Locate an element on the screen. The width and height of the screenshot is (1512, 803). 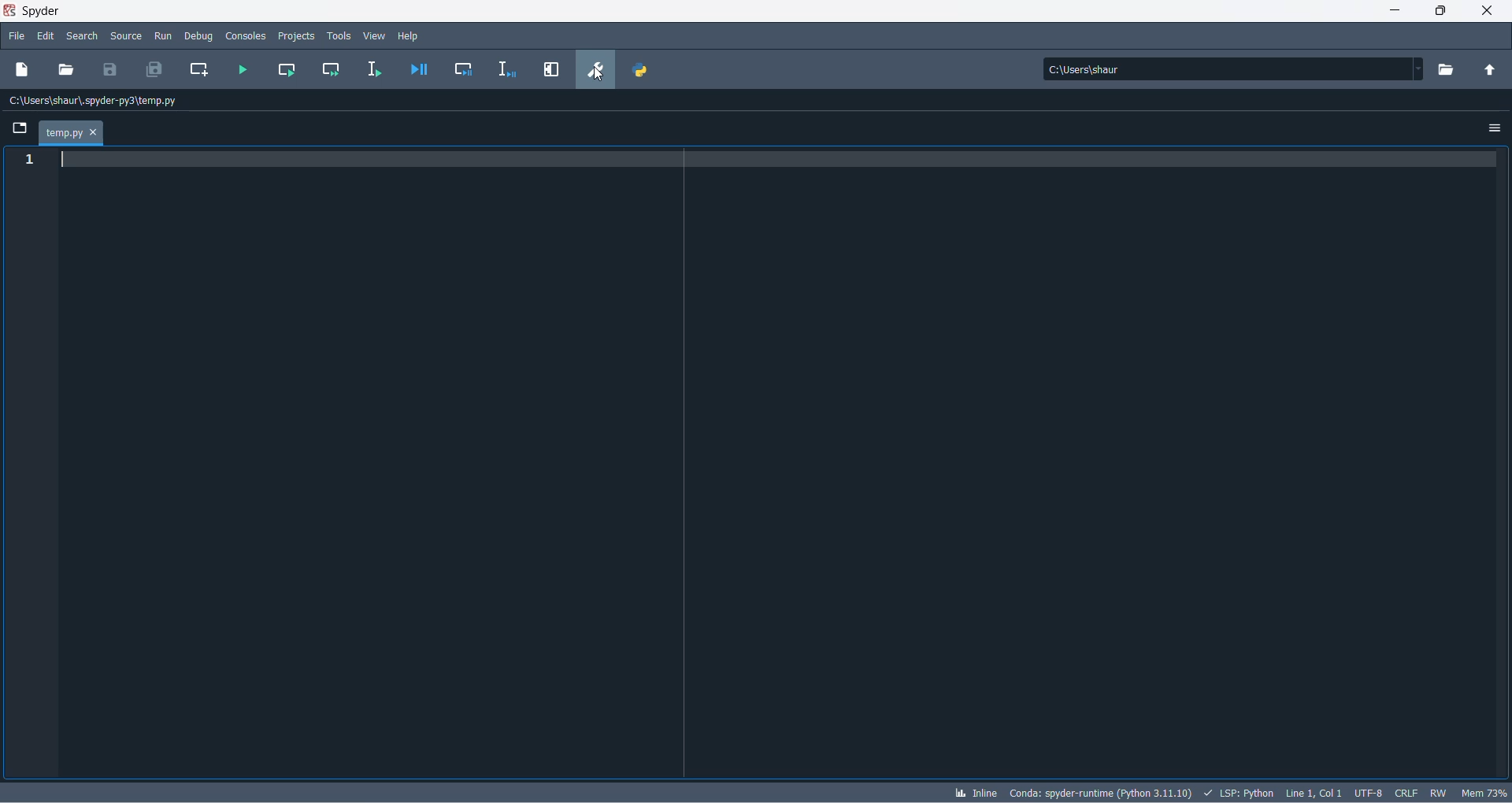
memory usage is located at coordinates (1484, 791).